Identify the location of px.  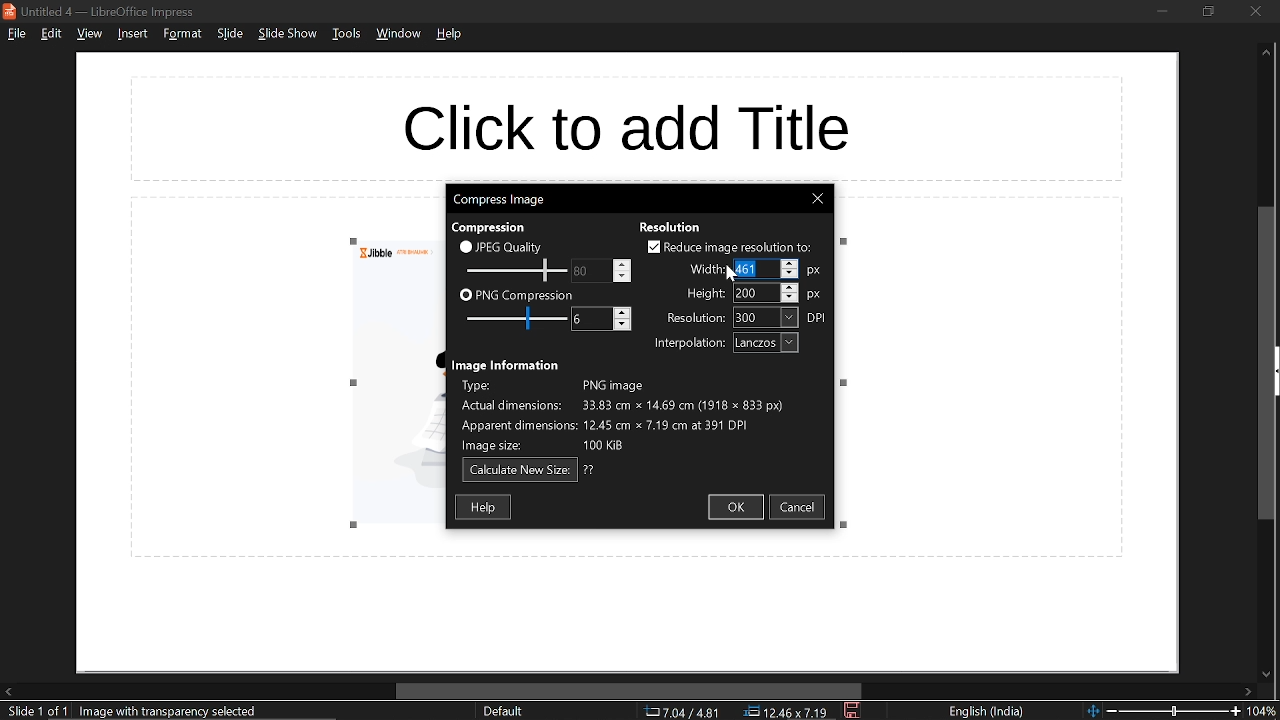
(818, 269).